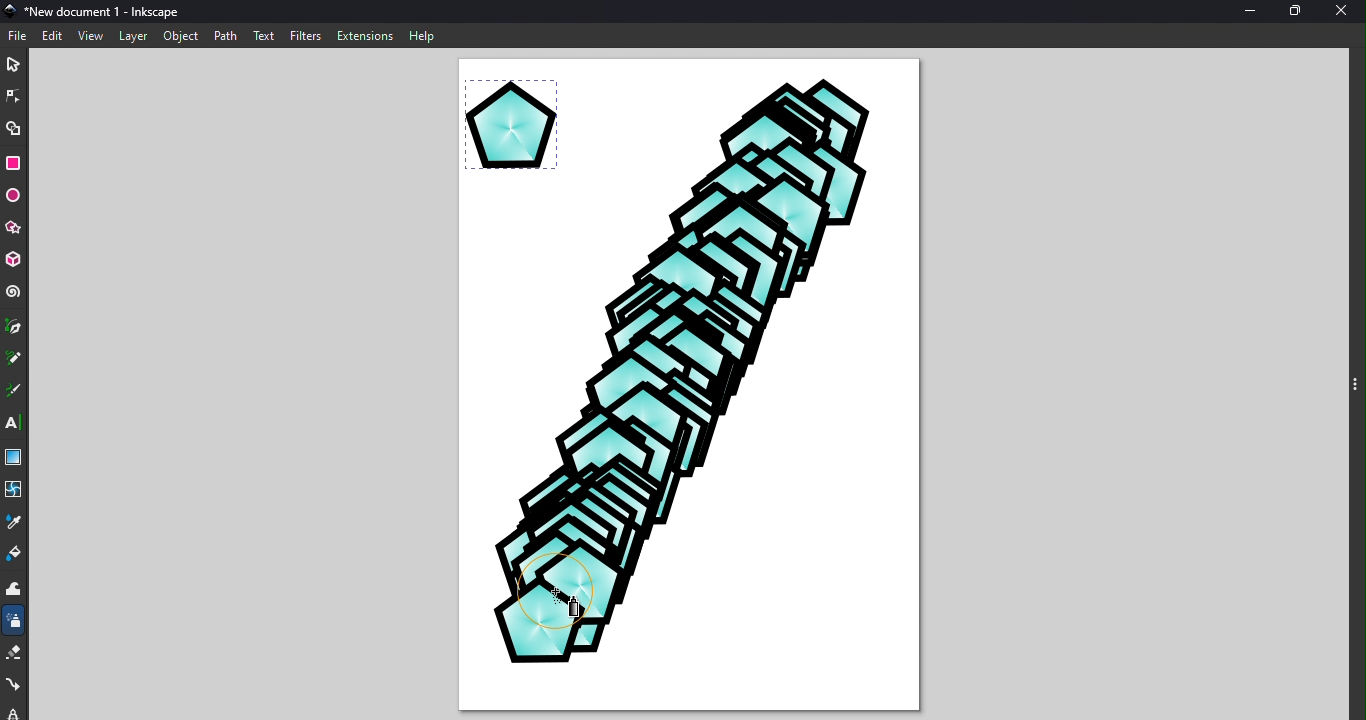  I want to click on Close, so click(1345, 11).